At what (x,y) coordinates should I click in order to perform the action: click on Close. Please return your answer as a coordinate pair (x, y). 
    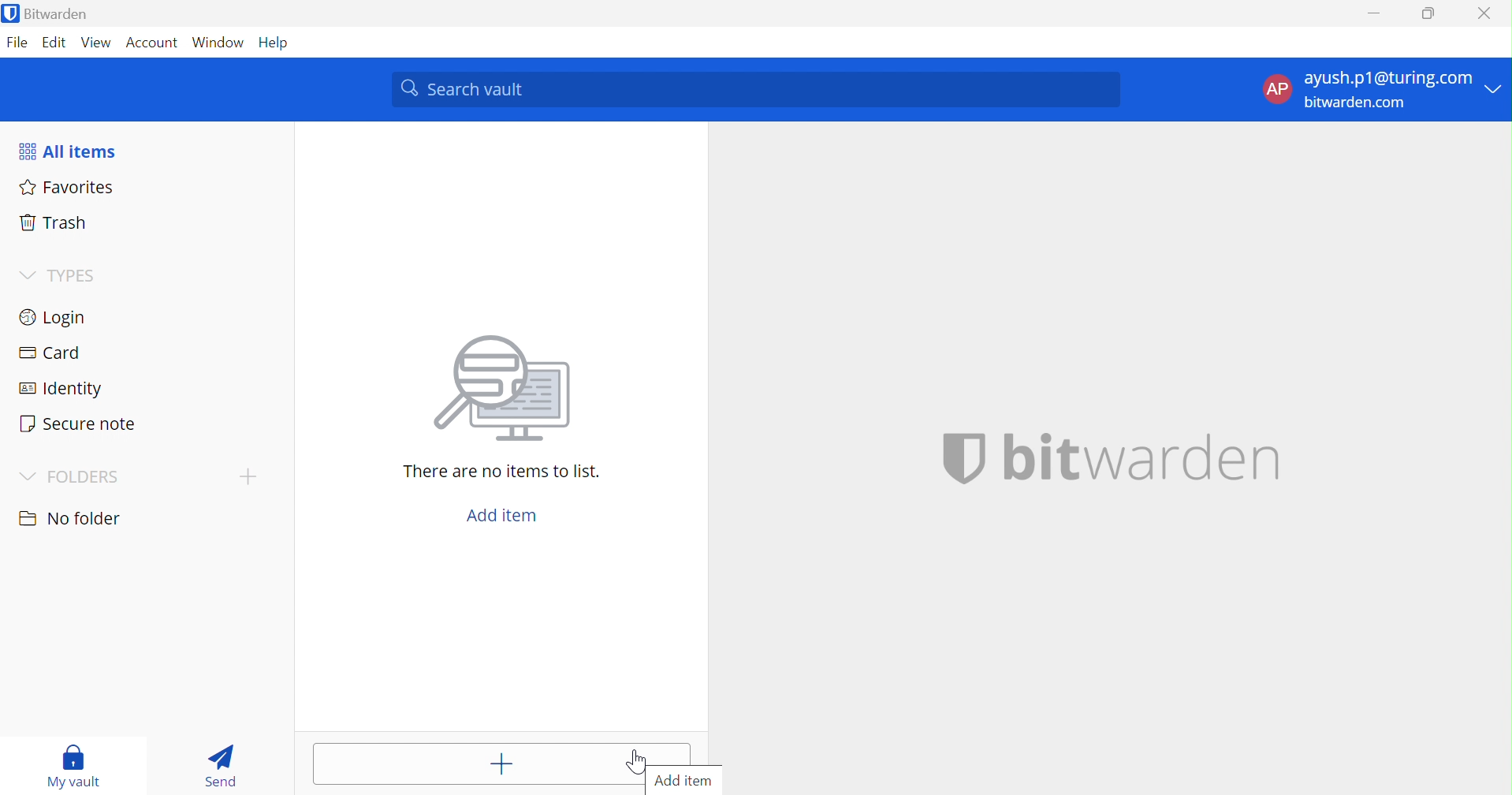
    Looking at the image, I should click on (1485, 13).